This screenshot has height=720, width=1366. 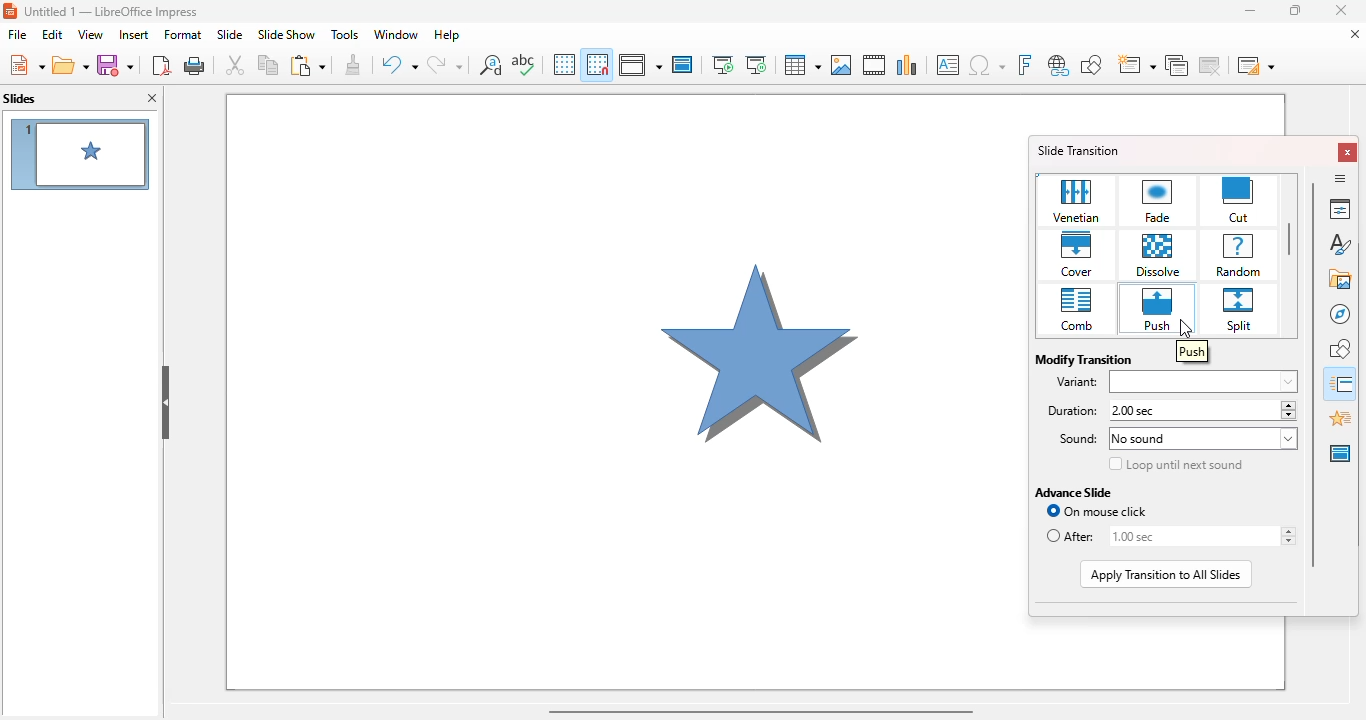 What do you see at coordinates (1077, 201) in the screenshot?
I see `venetian` at bounding box center [1077, 201].